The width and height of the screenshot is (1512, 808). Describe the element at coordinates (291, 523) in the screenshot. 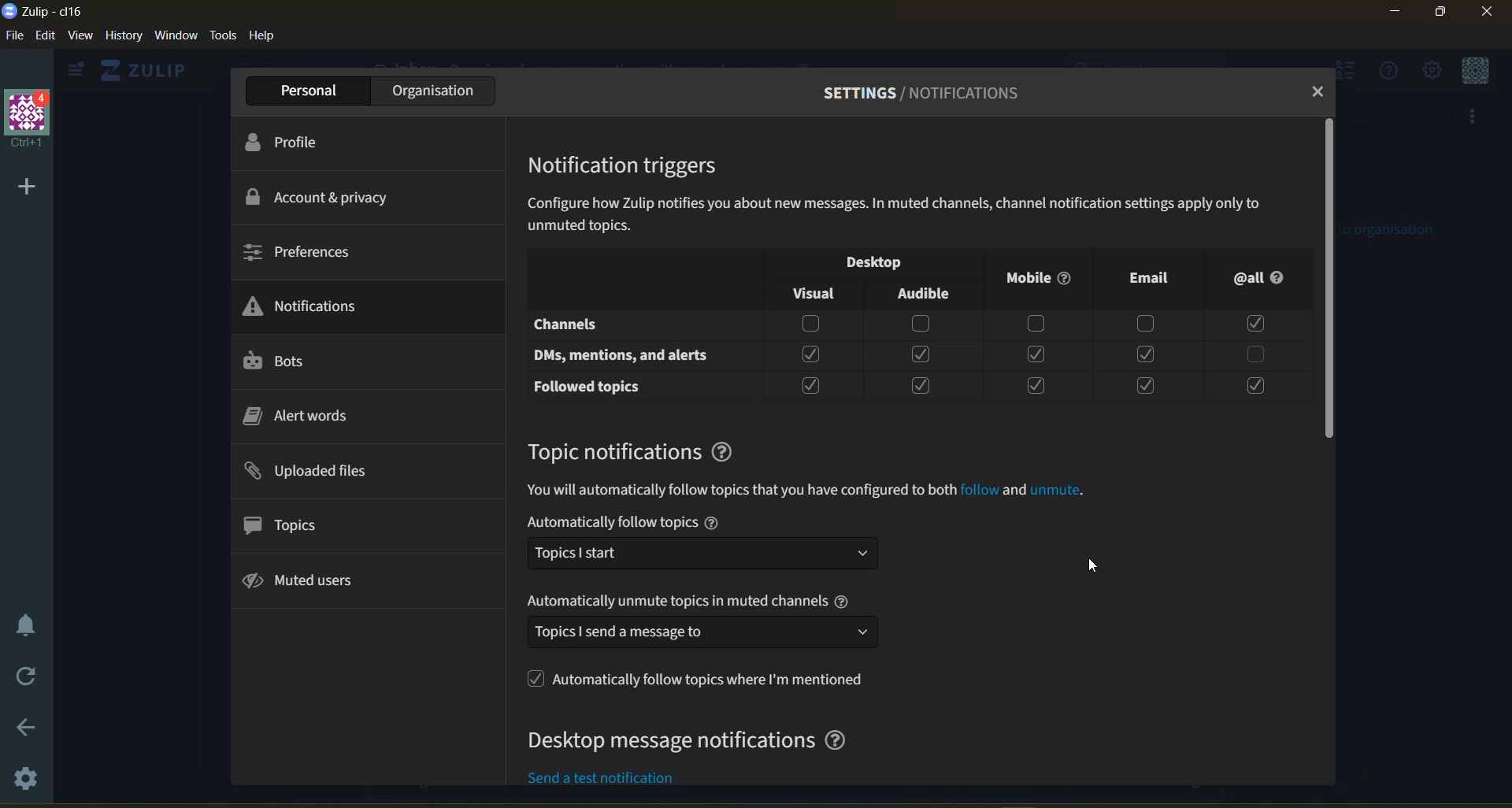

I see `topics` at that location.